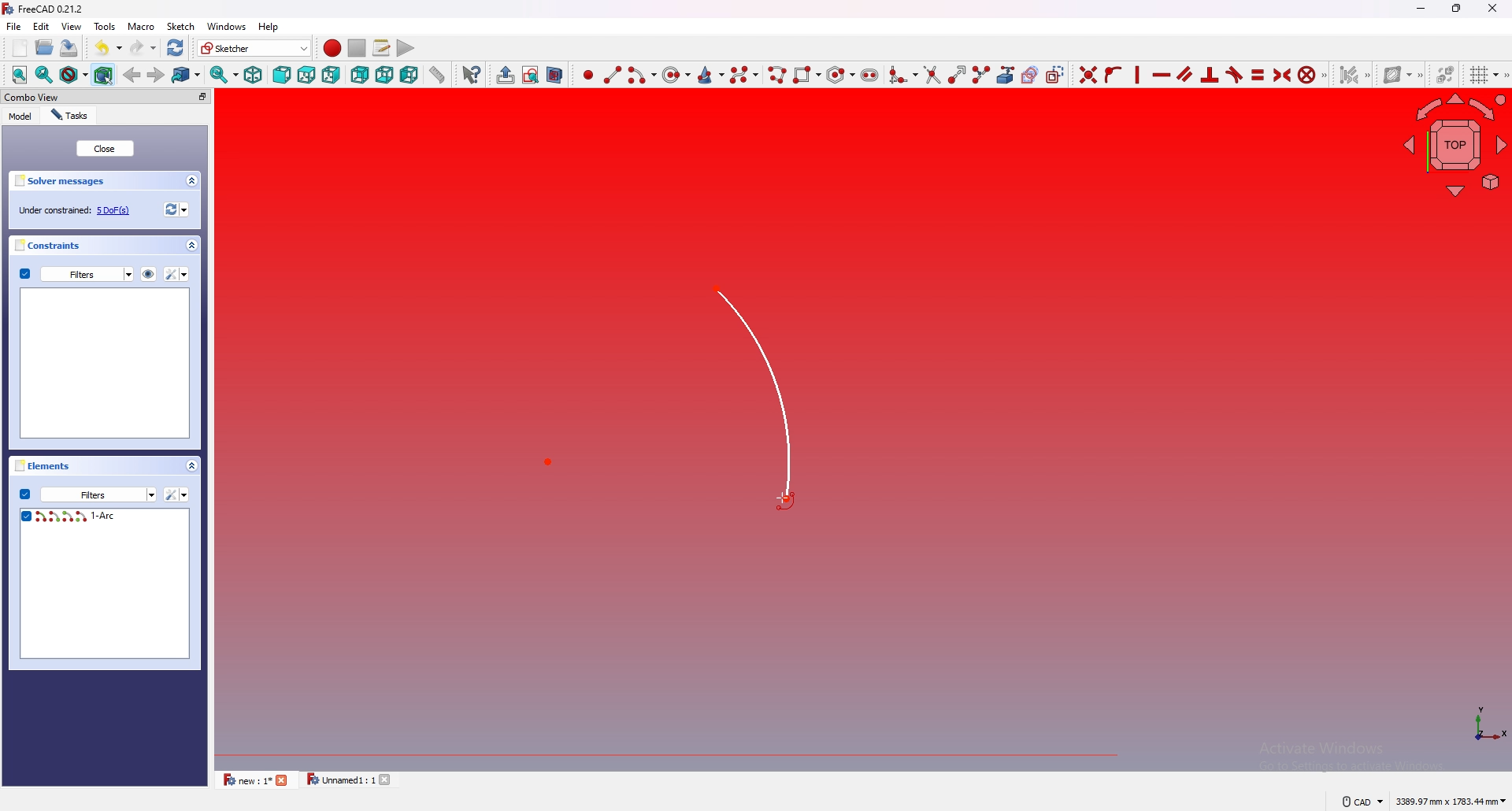 Image resolution: width=1512 pixels, height=811 pixels. Describe the element at coordinates (192, 246) in the screenshot. I see `collapse` at that location.